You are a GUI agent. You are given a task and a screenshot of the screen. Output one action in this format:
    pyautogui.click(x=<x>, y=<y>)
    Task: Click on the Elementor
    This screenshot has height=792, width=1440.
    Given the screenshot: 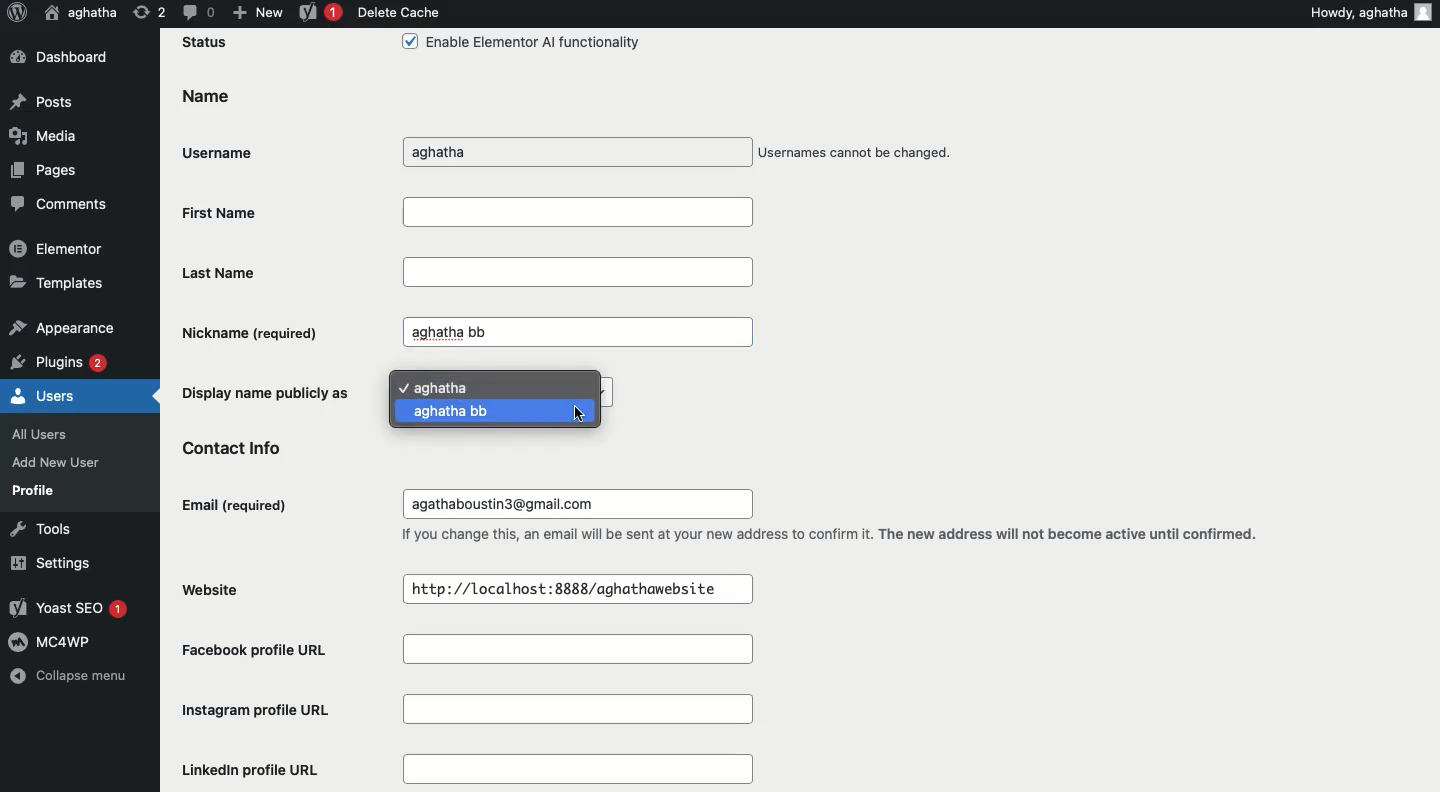 What is the action you would take?
    pyautogui.click(x=58, y=247)
    